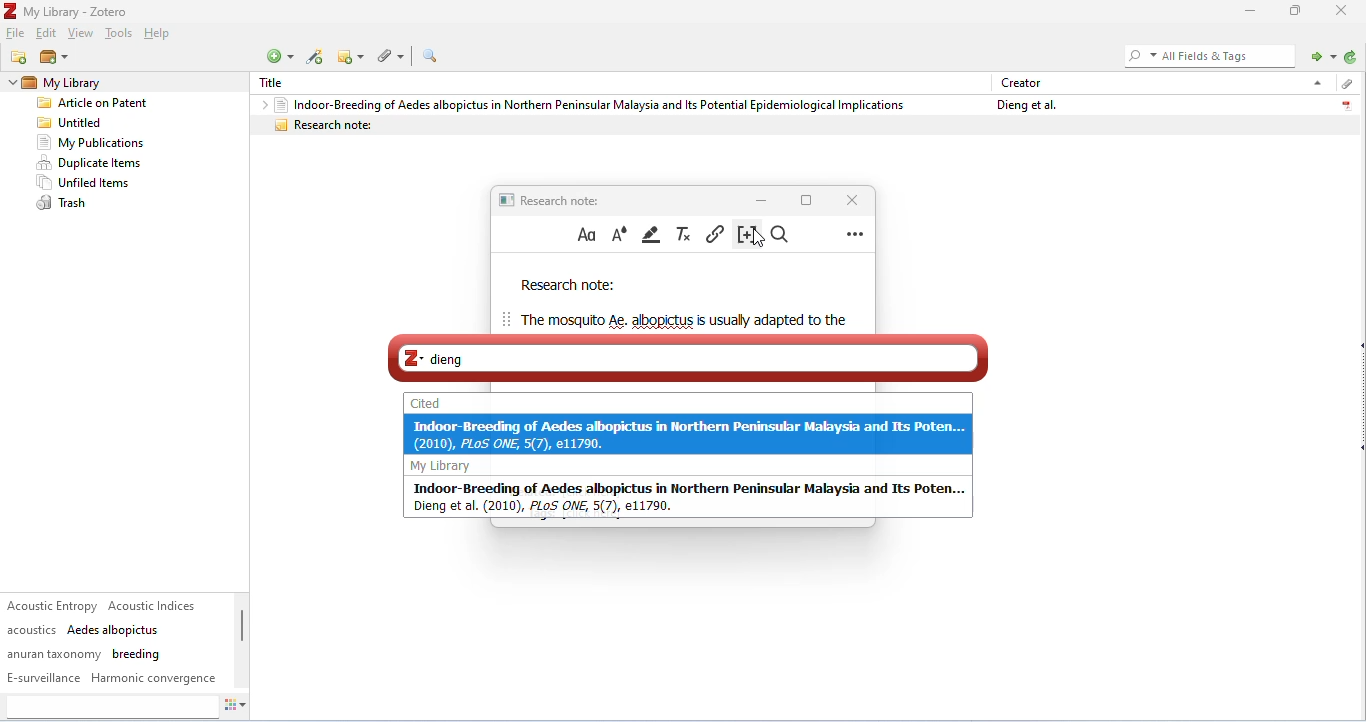  Describe the element at coordinates (20, 57) in the screenshot. I see `new collection` at that location.